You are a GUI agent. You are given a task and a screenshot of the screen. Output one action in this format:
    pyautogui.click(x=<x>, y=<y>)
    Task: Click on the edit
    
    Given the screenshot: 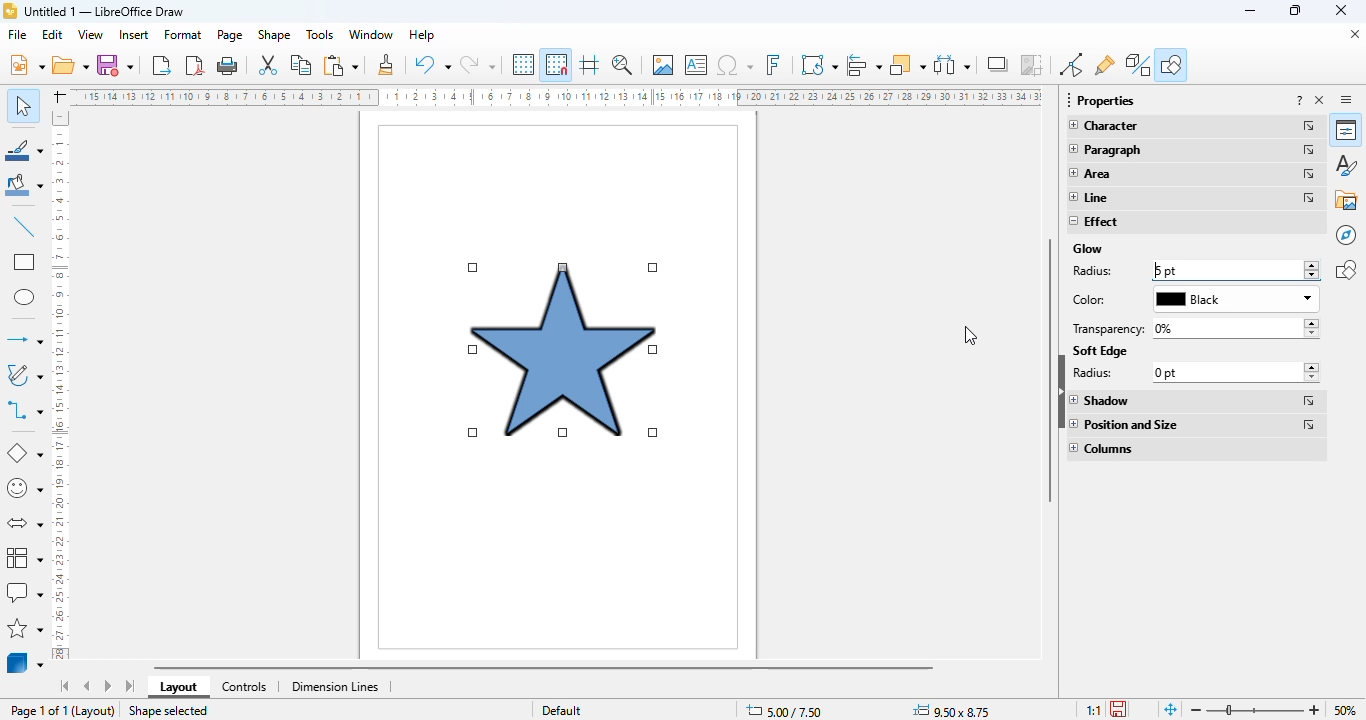 What is the action you would take?
    pyautogui.click(x=52, y=34)
    